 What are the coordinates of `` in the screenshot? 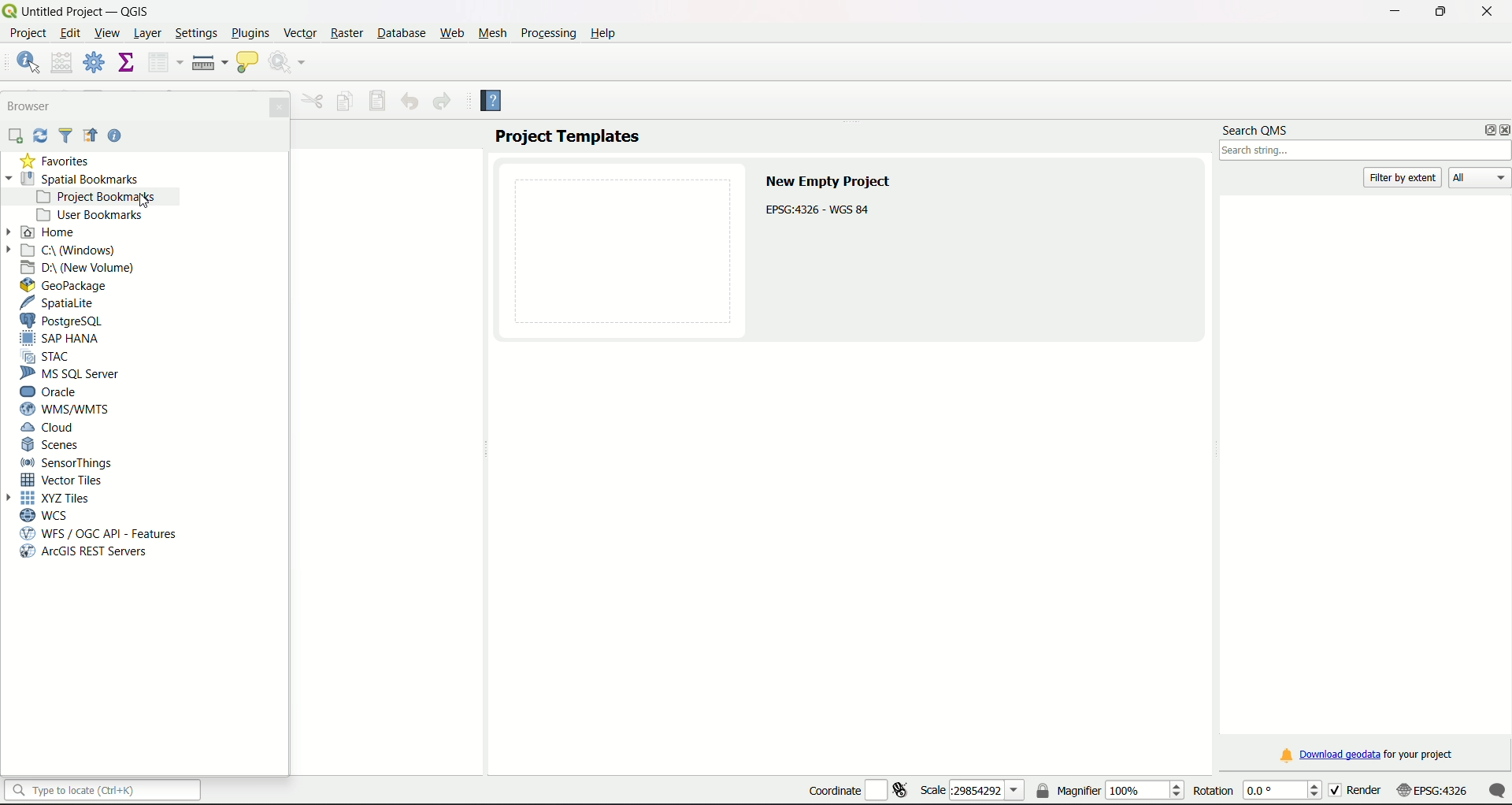 It's located at (313, 101).